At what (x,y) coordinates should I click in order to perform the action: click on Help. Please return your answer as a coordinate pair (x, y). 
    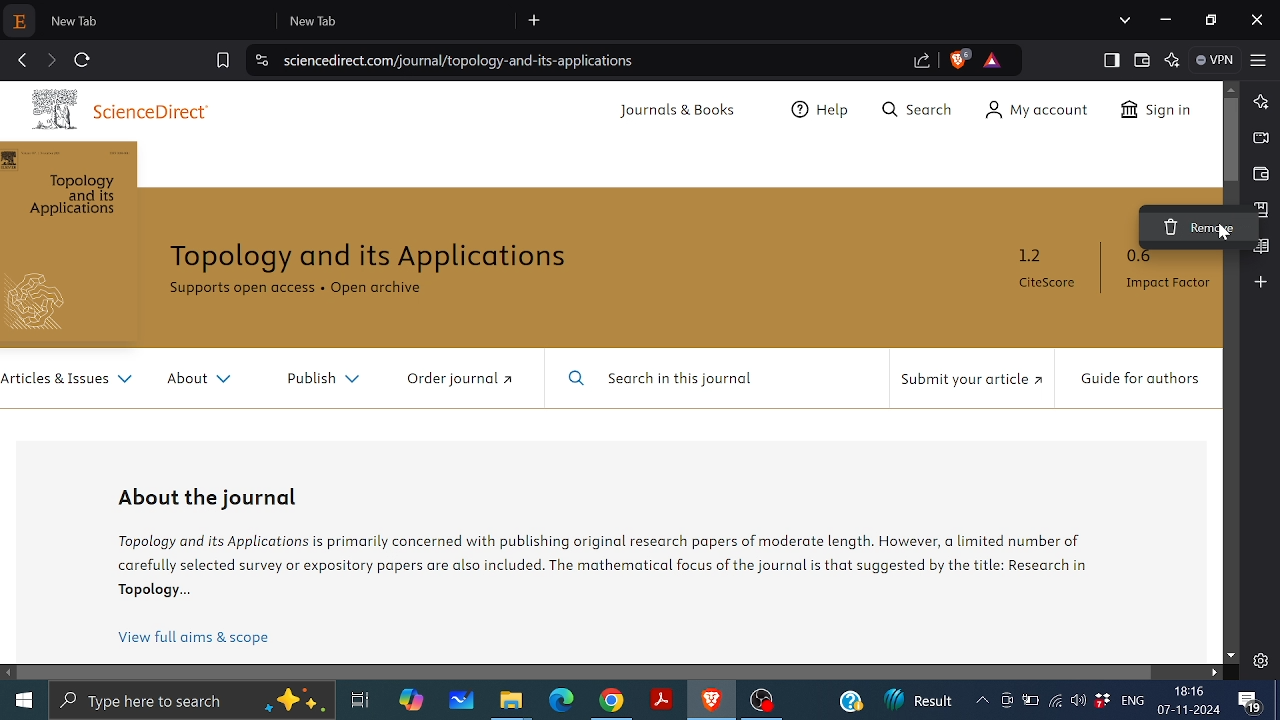
    Looking at the image, I should click on (823, 112).